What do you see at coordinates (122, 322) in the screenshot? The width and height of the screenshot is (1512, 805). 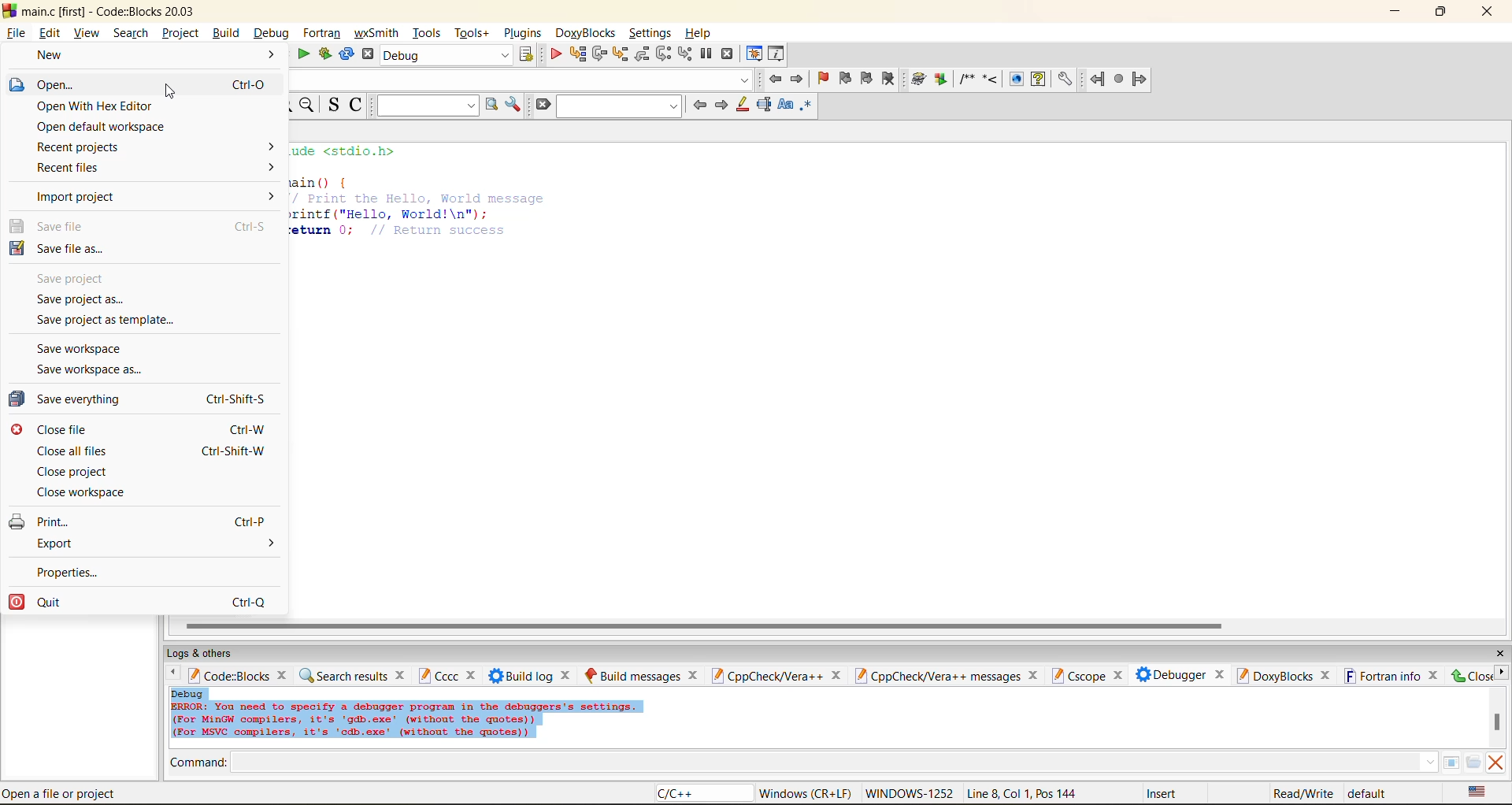 I see `save project as template` at bounding box center [122, 322].